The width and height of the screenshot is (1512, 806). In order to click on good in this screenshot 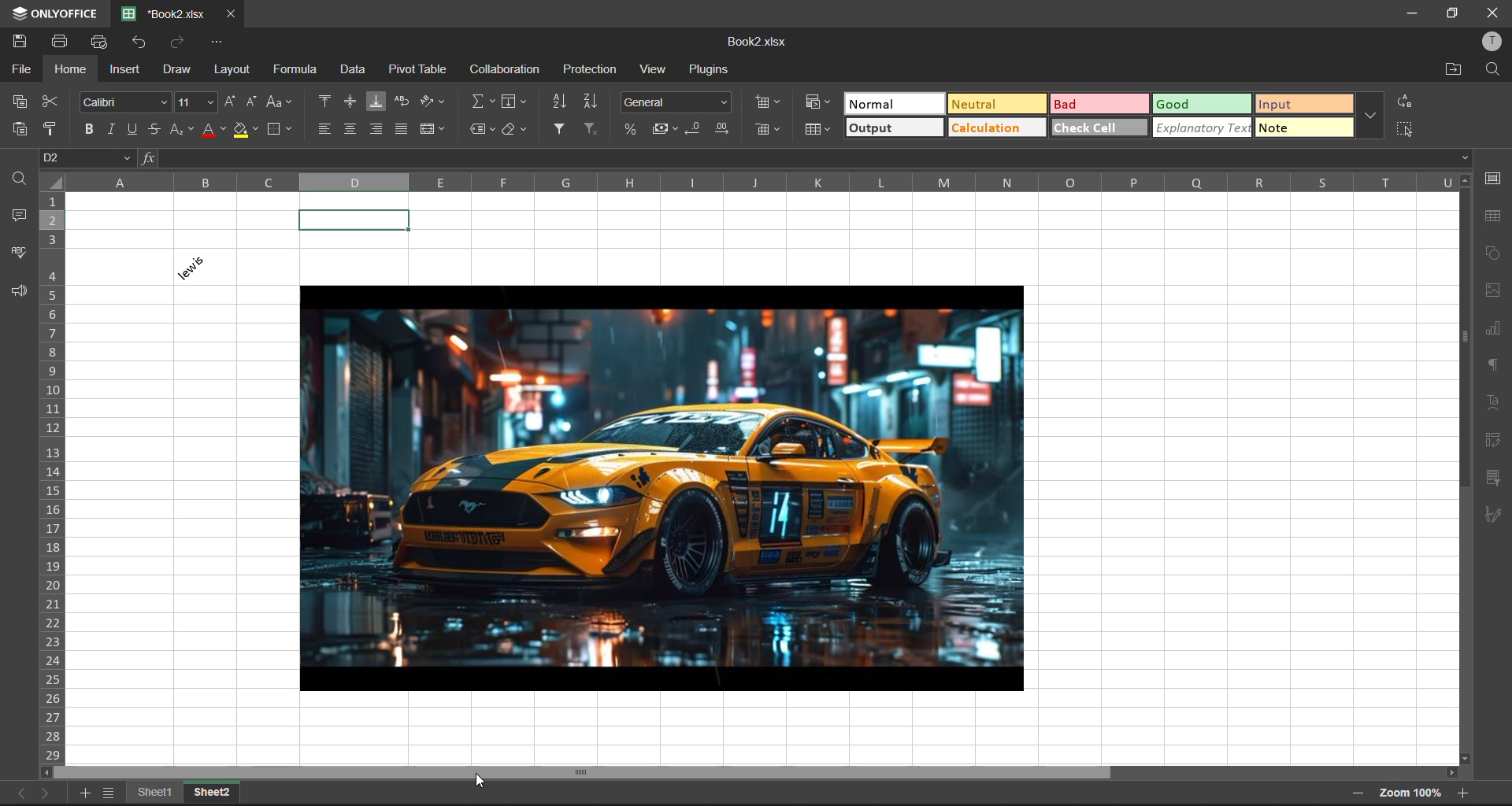, I will do `click(1203, 103)`.